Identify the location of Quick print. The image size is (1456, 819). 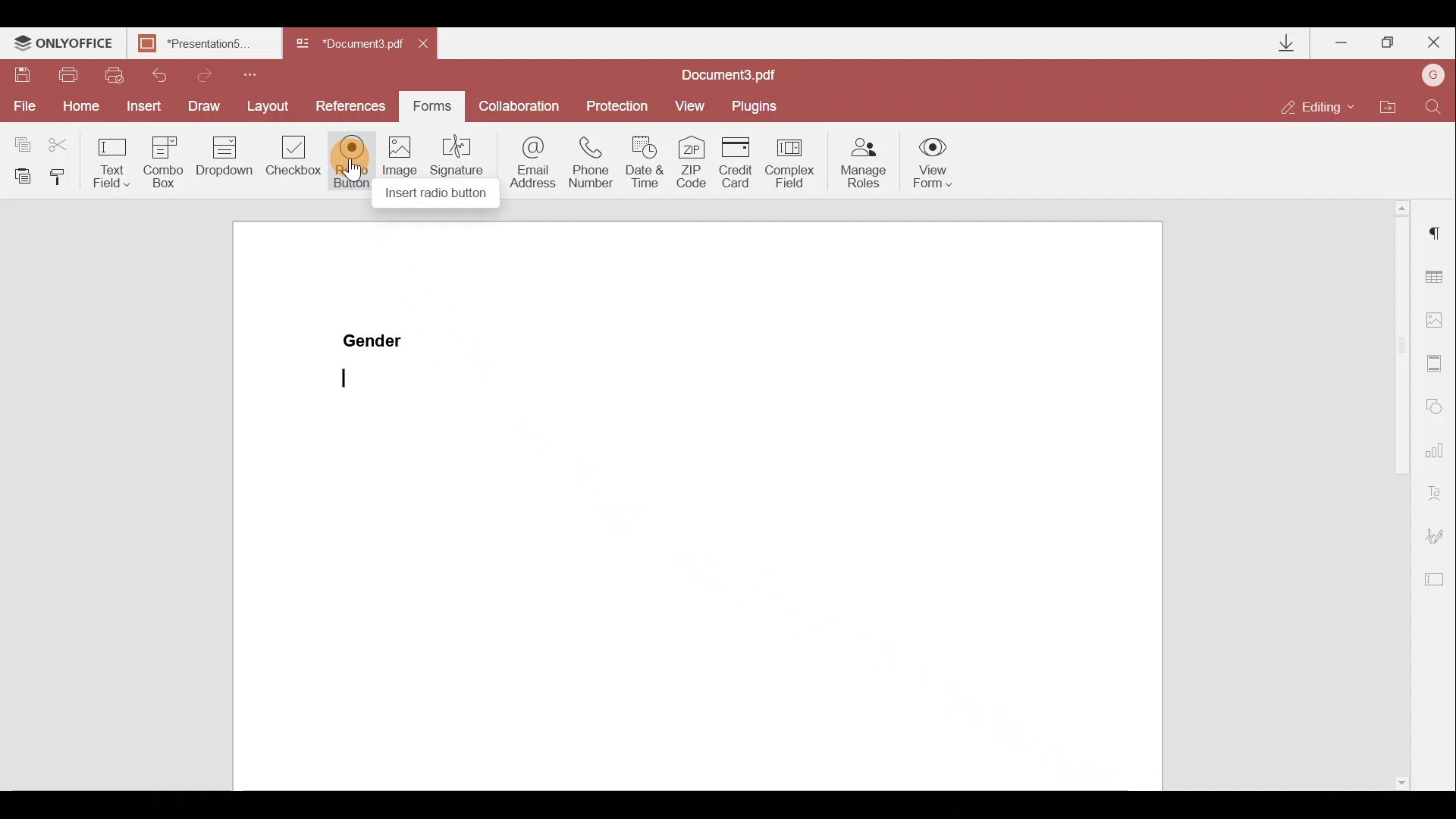
(120, 73).